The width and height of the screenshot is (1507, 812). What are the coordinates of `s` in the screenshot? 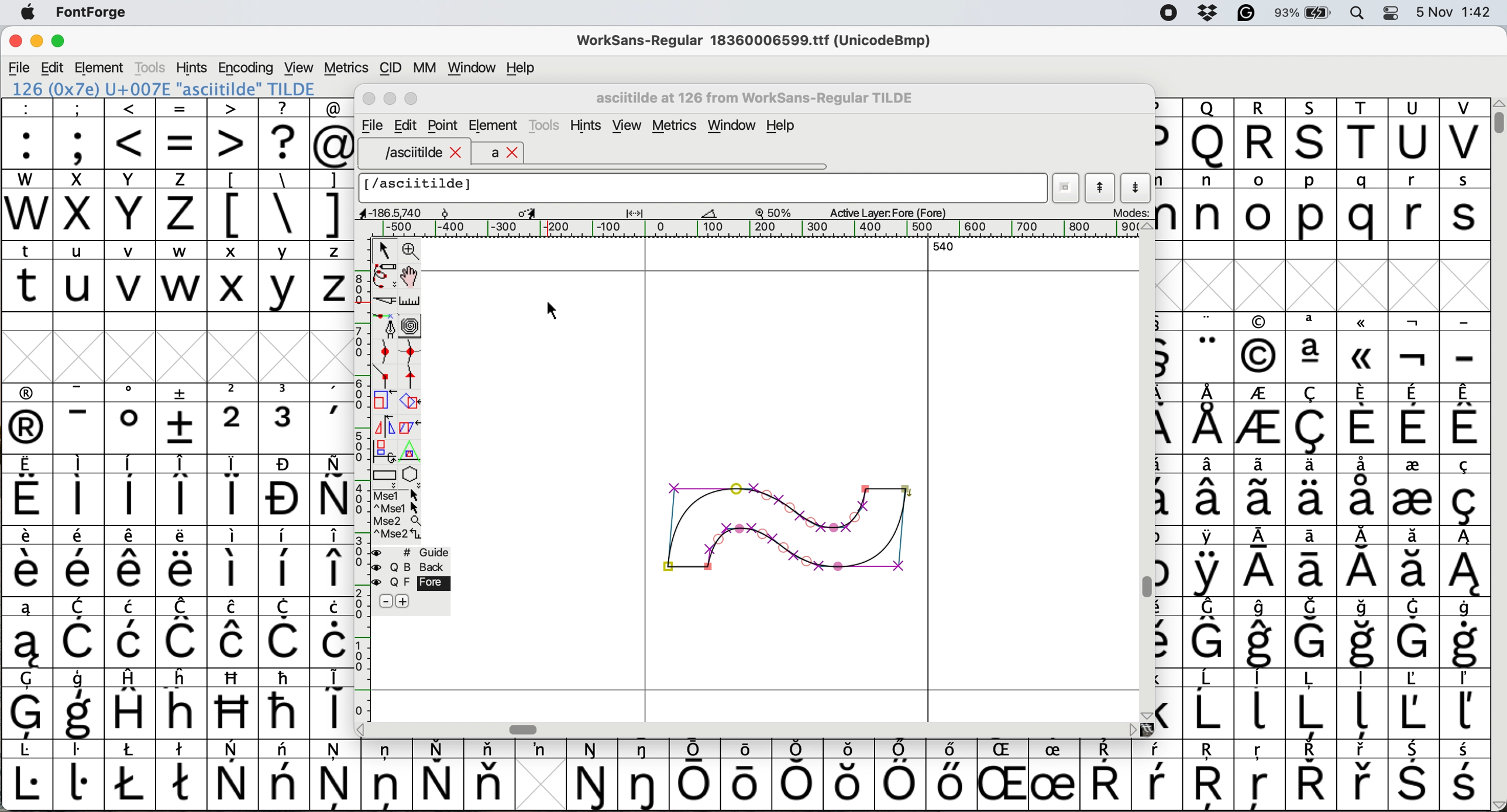 It's located at (1465, 205).